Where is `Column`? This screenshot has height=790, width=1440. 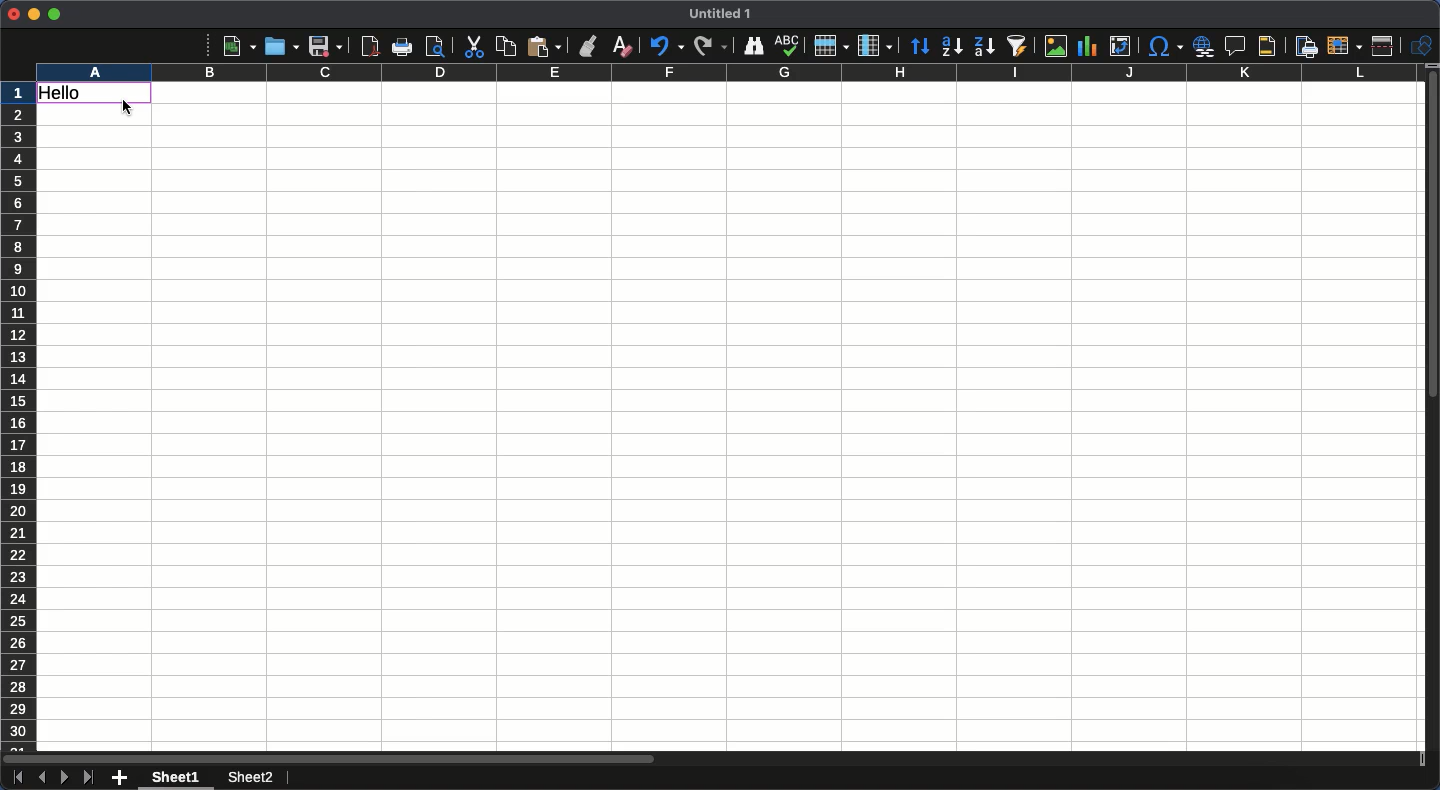
Column is located at coordinates (877, 46).